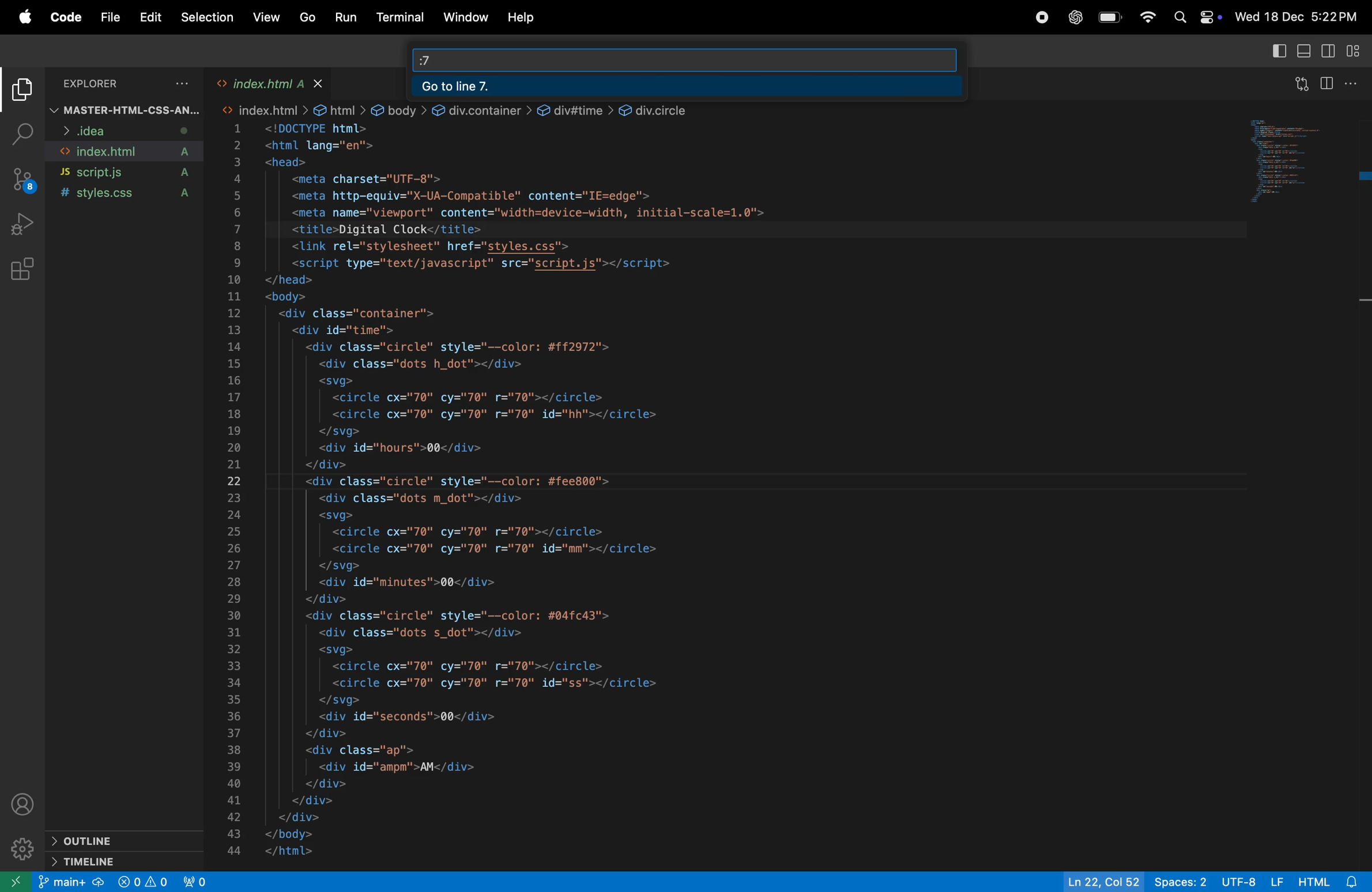 The width and height of the screenshot is (1372, 892). What do you see at coordinates (22, 17) in the screenshot?
I see `apple menu` at bounding box center [22, 17].